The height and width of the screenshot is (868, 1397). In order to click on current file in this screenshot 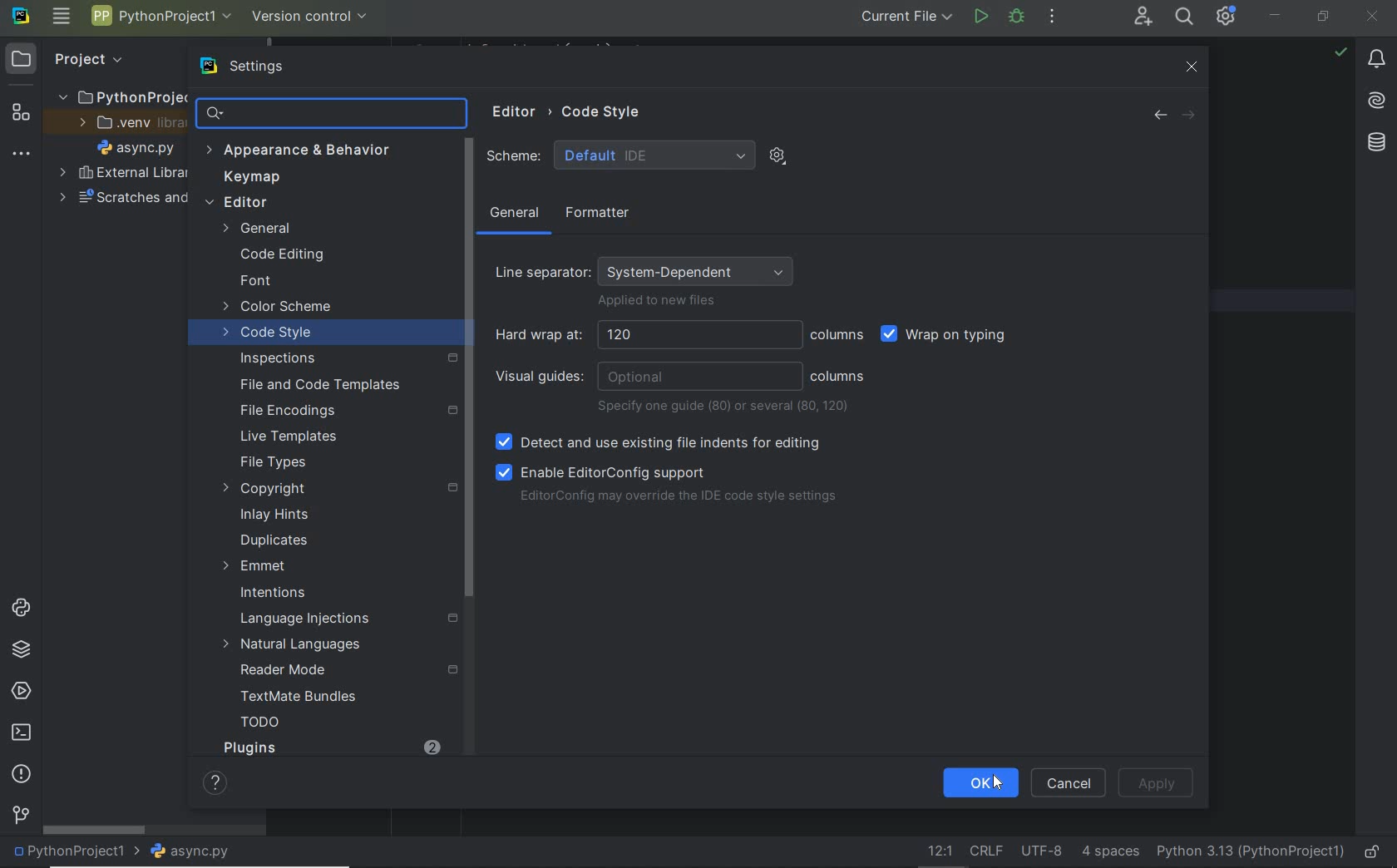, I will do `click(906, 17)`.